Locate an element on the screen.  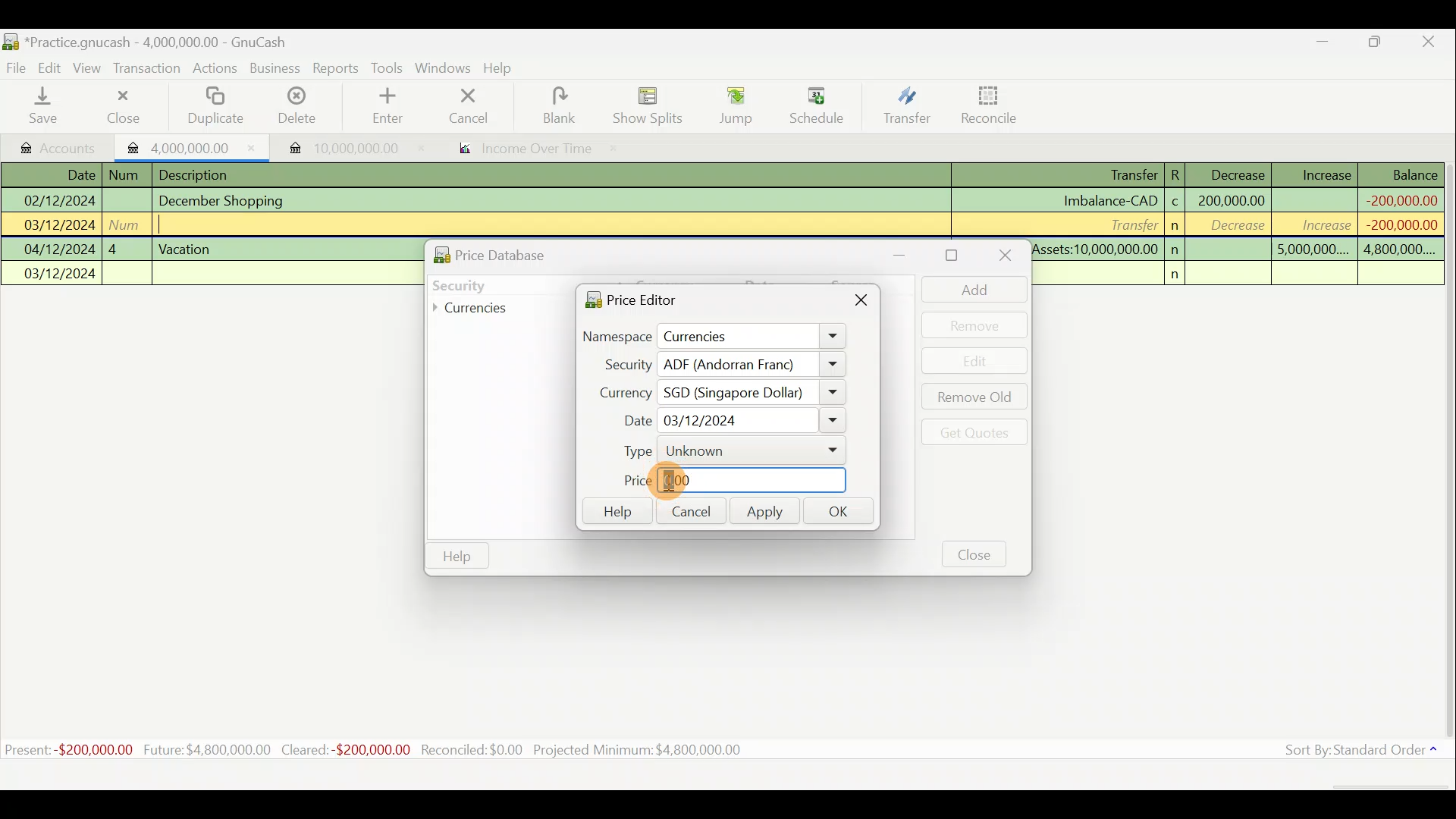
Description is located at coordinates (199, 173).